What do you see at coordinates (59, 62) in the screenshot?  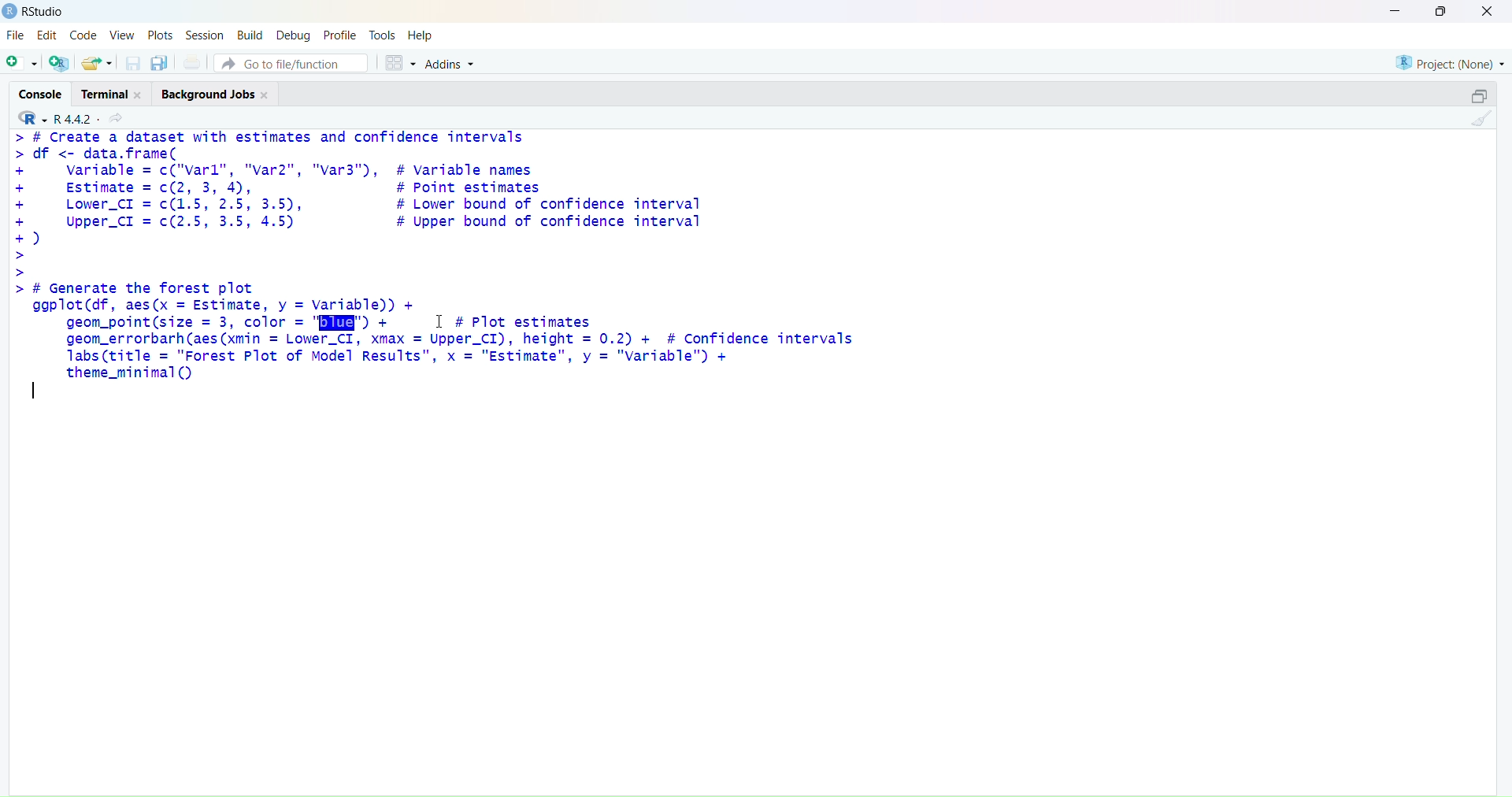 I see `create a project` at bounding box center [59, 62].